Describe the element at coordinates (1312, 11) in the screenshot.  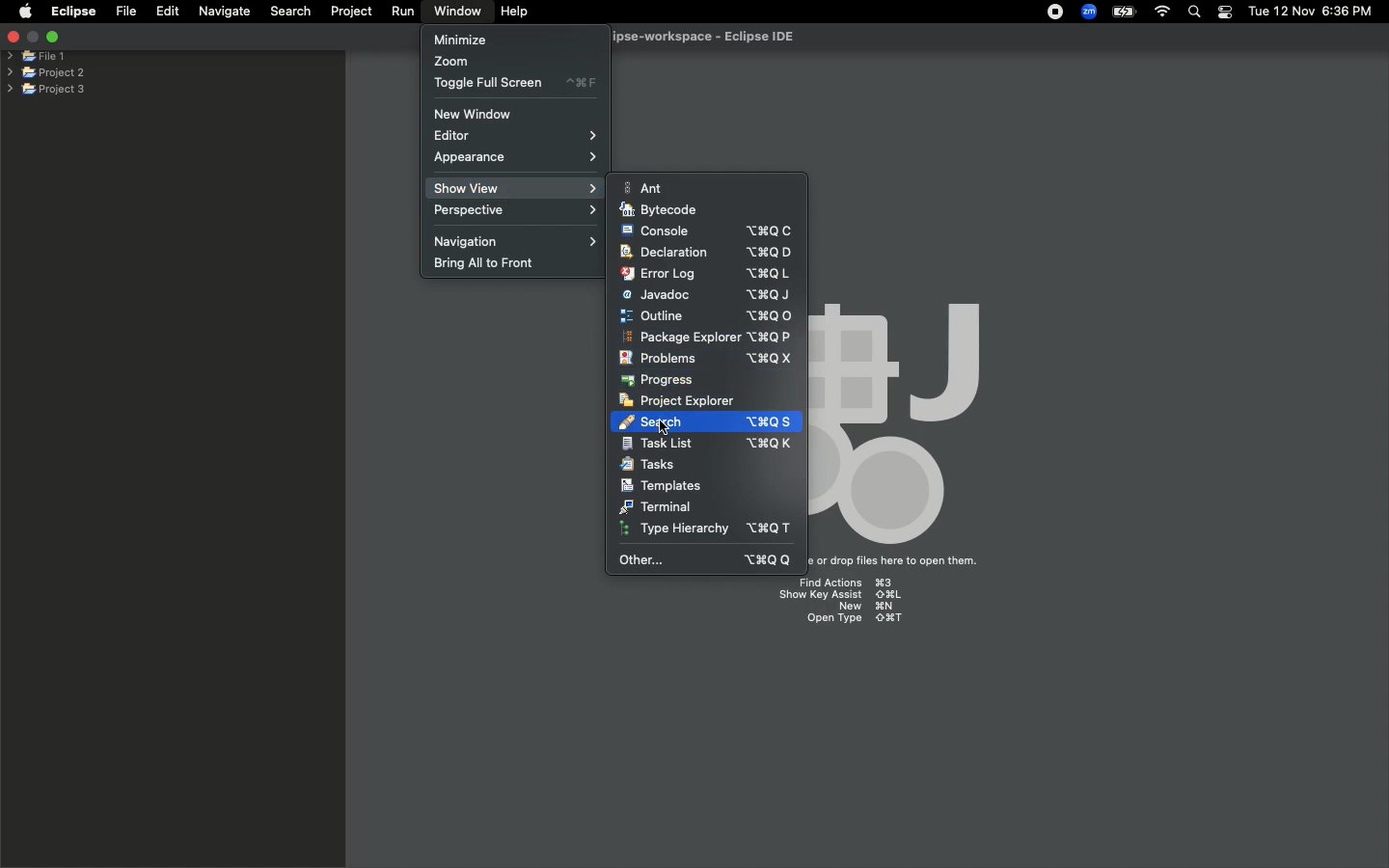
I see `Date/time` at that location.